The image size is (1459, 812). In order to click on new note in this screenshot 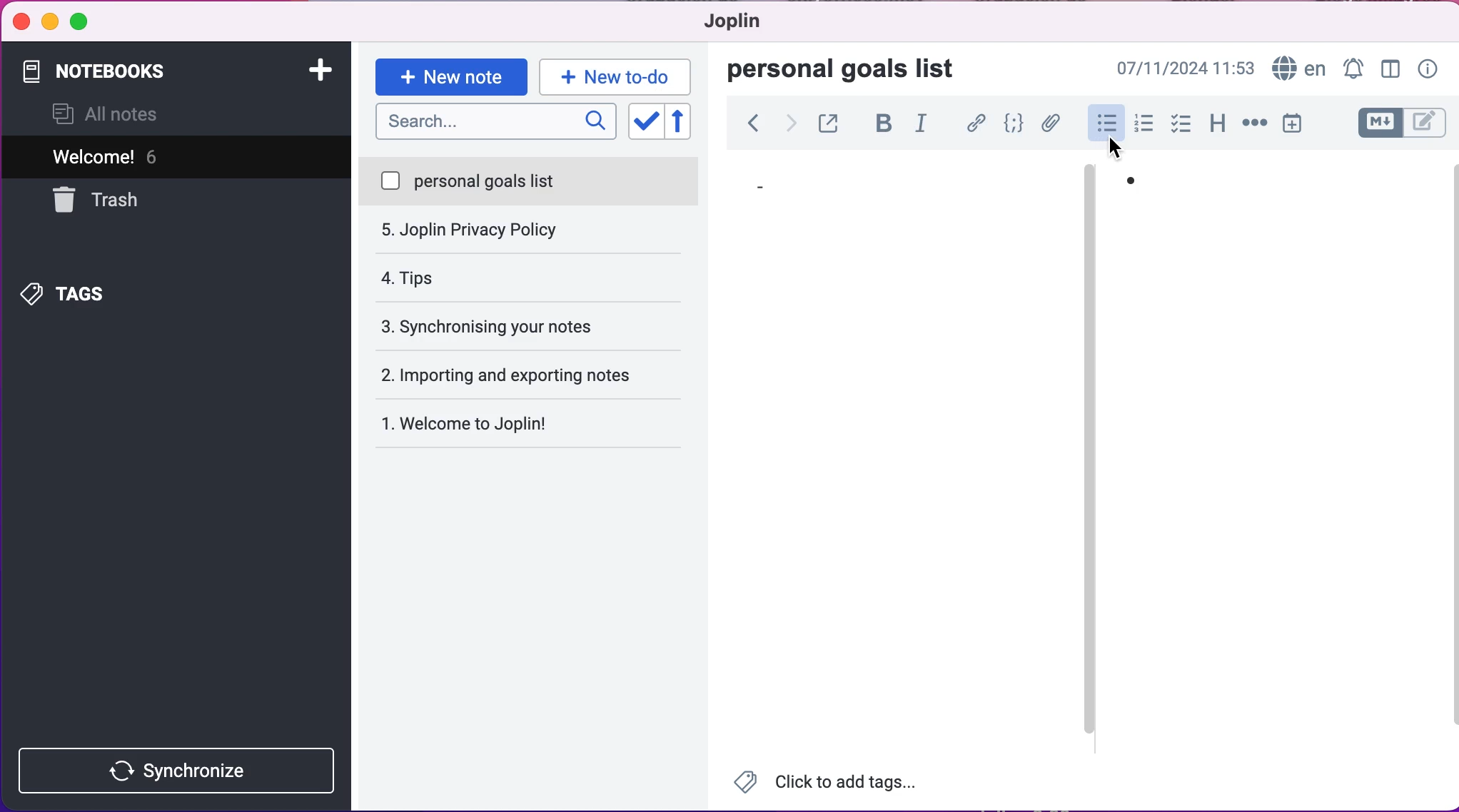, I will do `click(450, 76)`.